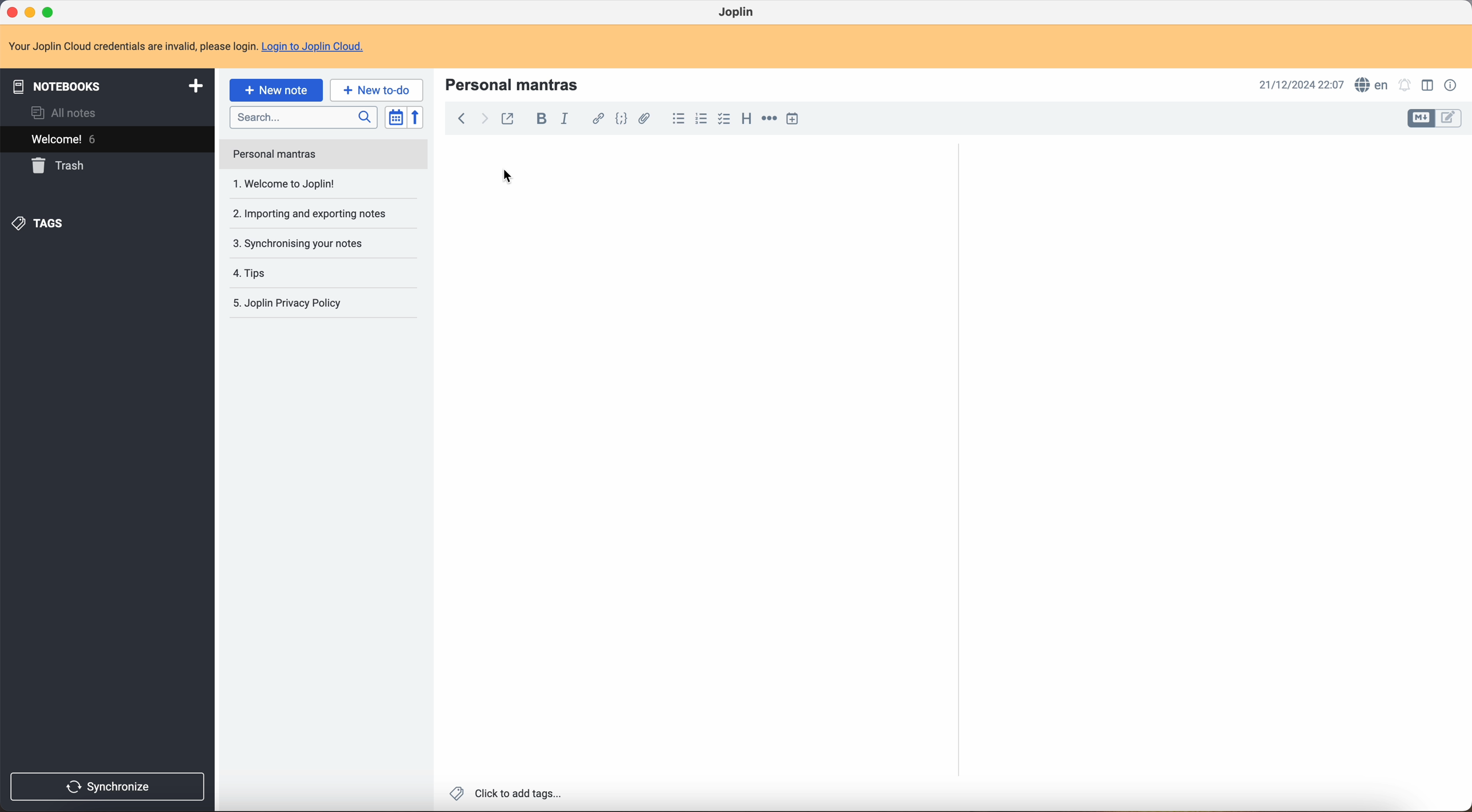  I want to click on note properties, so click(1451, 86).